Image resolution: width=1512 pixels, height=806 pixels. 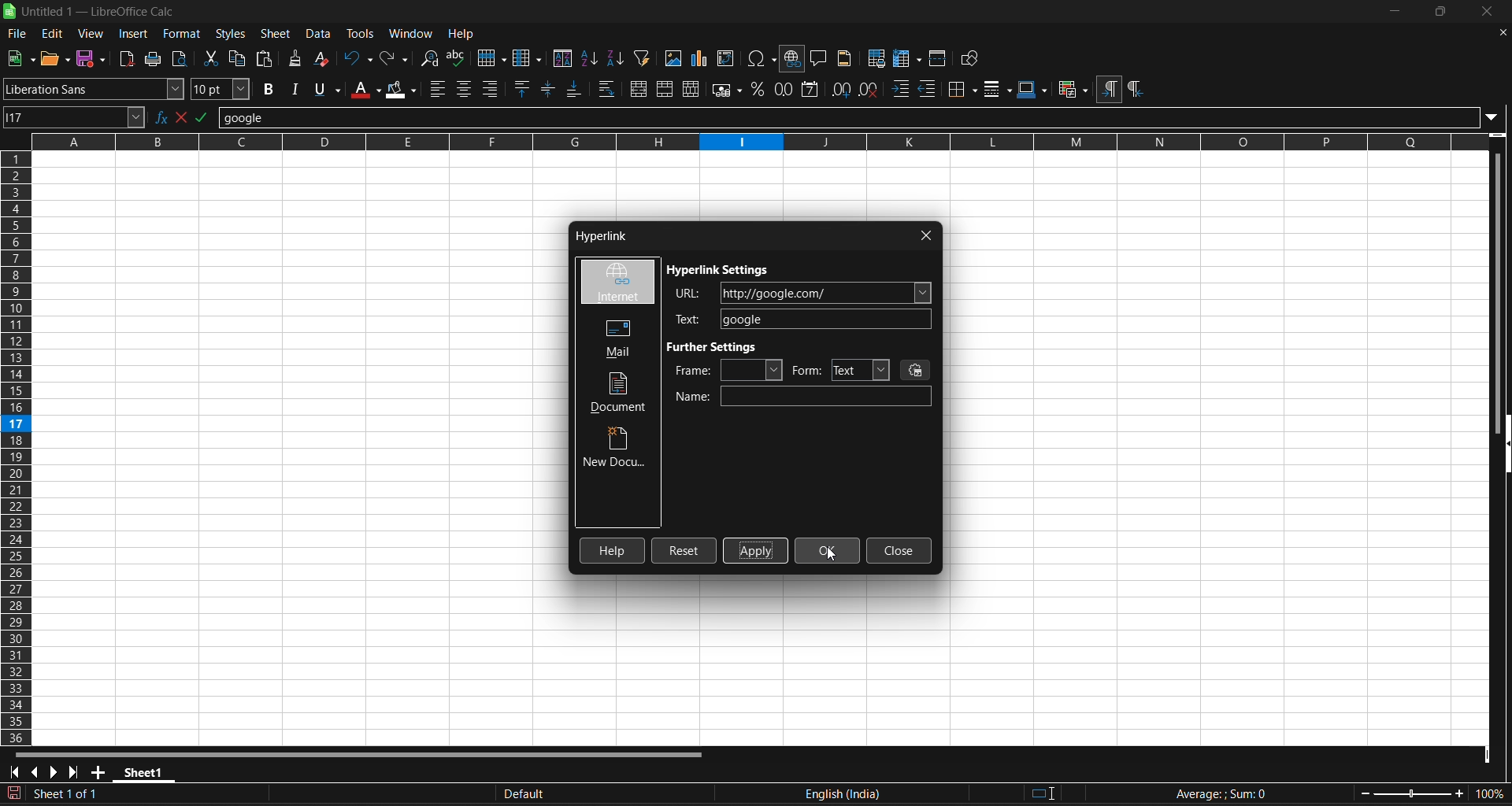 I want to click on export directly as pdf, so click(x=128, y=58).